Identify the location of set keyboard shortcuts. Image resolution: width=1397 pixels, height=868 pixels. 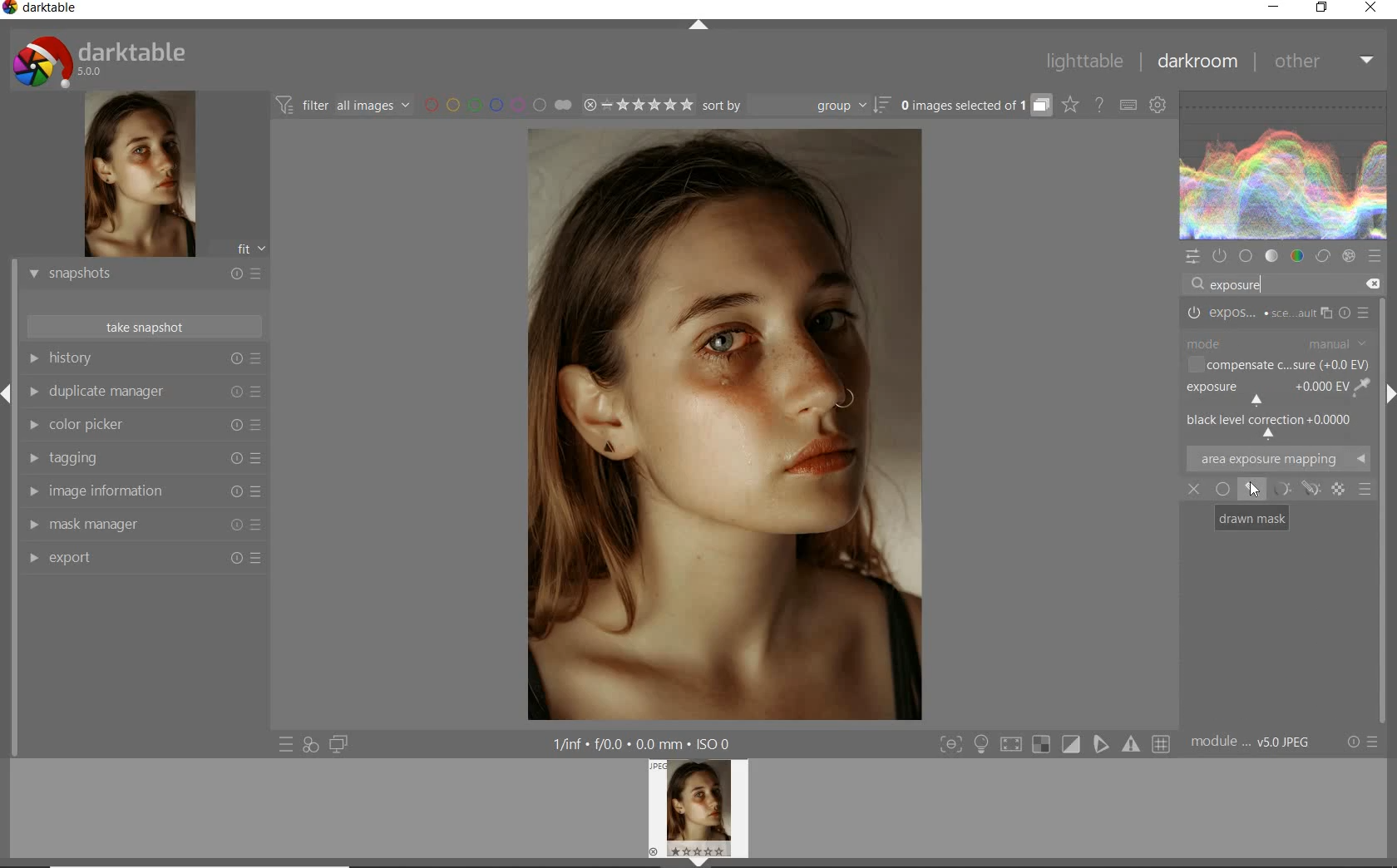
(1127, 106).